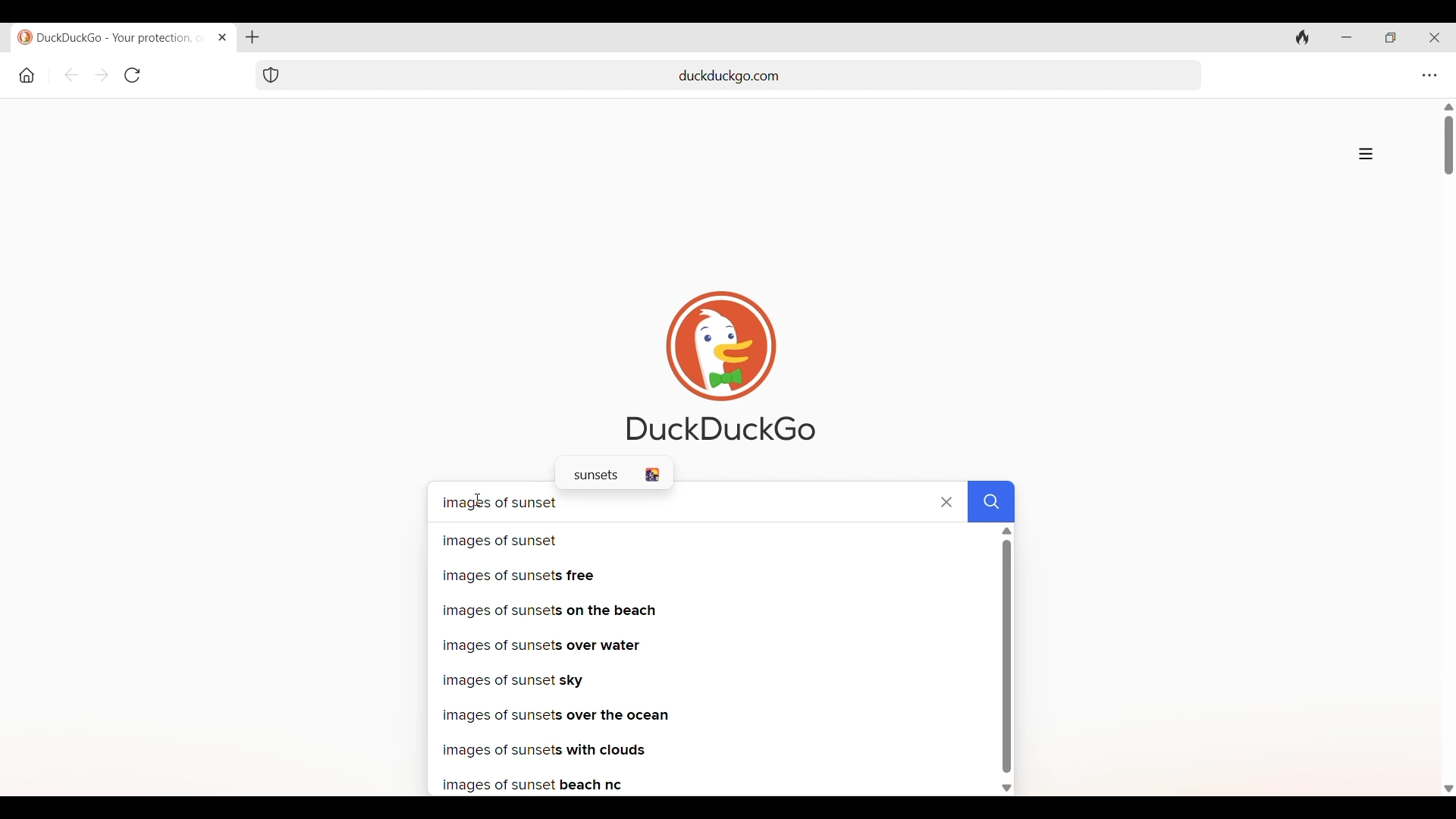 The image size is (1456, 819). What do you see at coordinates (714, 610) in the screenshot?
I see `Images of sunsets on the beach` at bounding box center [714, 610].